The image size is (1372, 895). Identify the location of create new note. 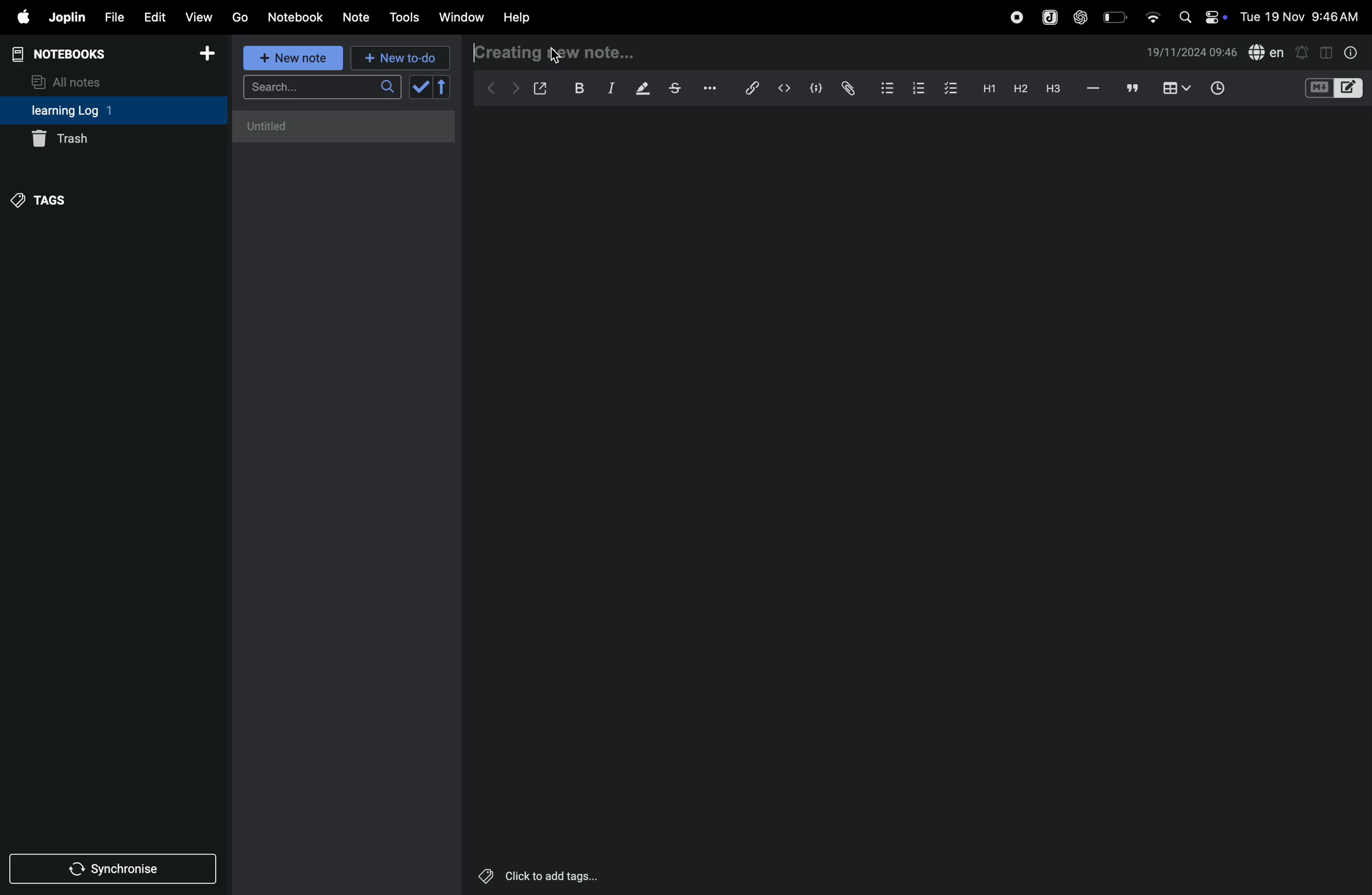
(543, 51).